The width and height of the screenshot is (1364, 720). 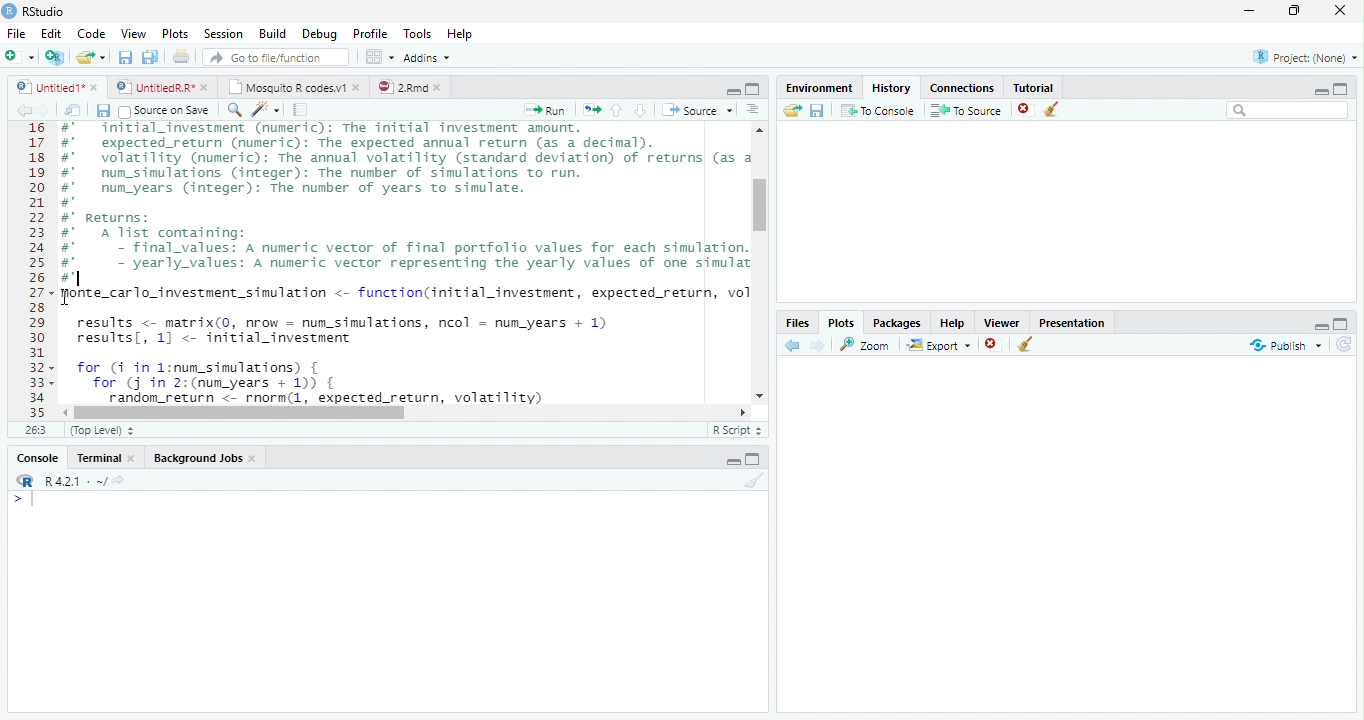 I want to click on Viewer, so click(x=1003, y=320).